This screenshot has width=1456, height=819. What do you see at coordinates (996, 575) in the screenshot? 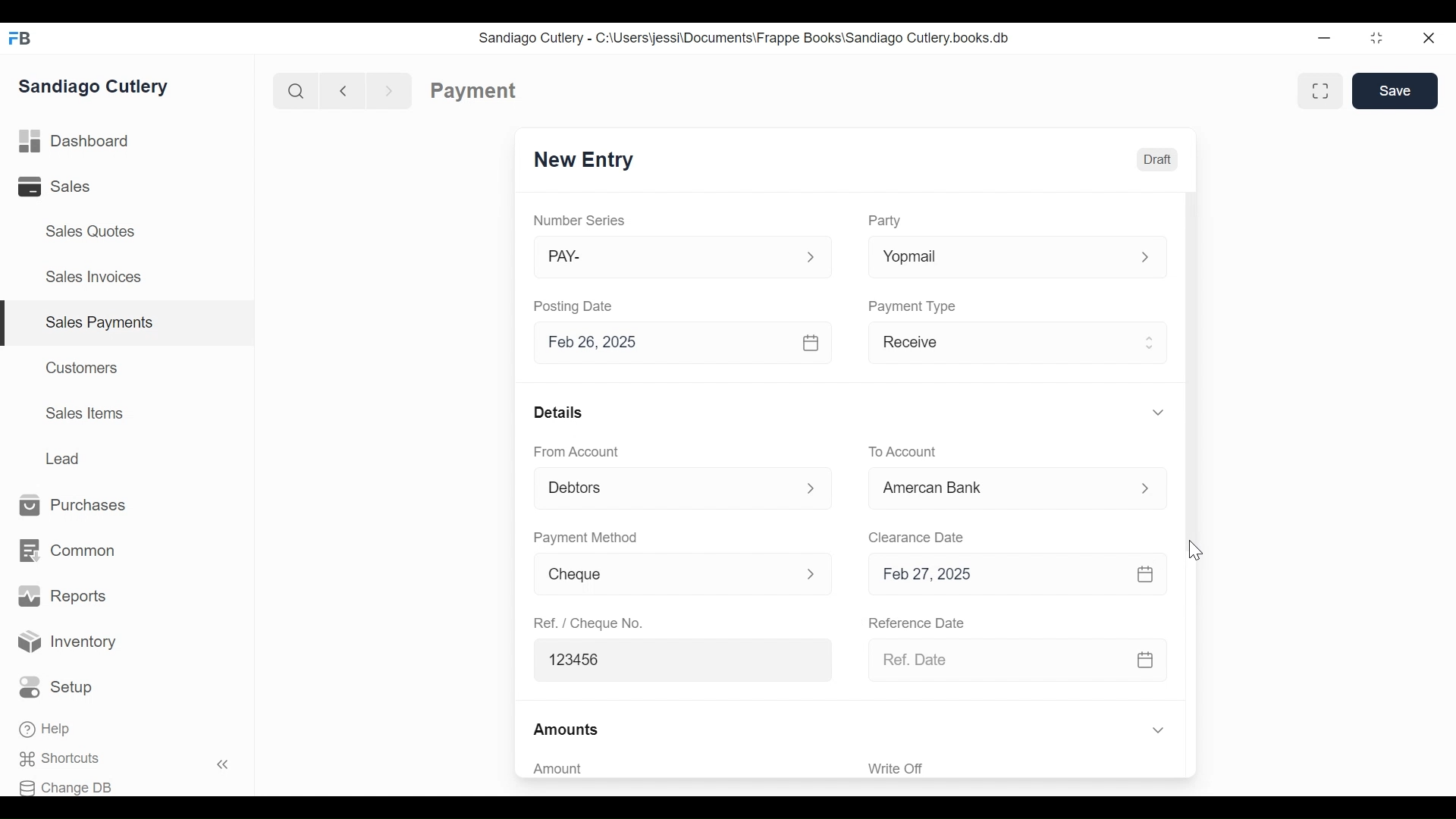
I see `Feb 27, 2025` at bounding box center [996, 575].